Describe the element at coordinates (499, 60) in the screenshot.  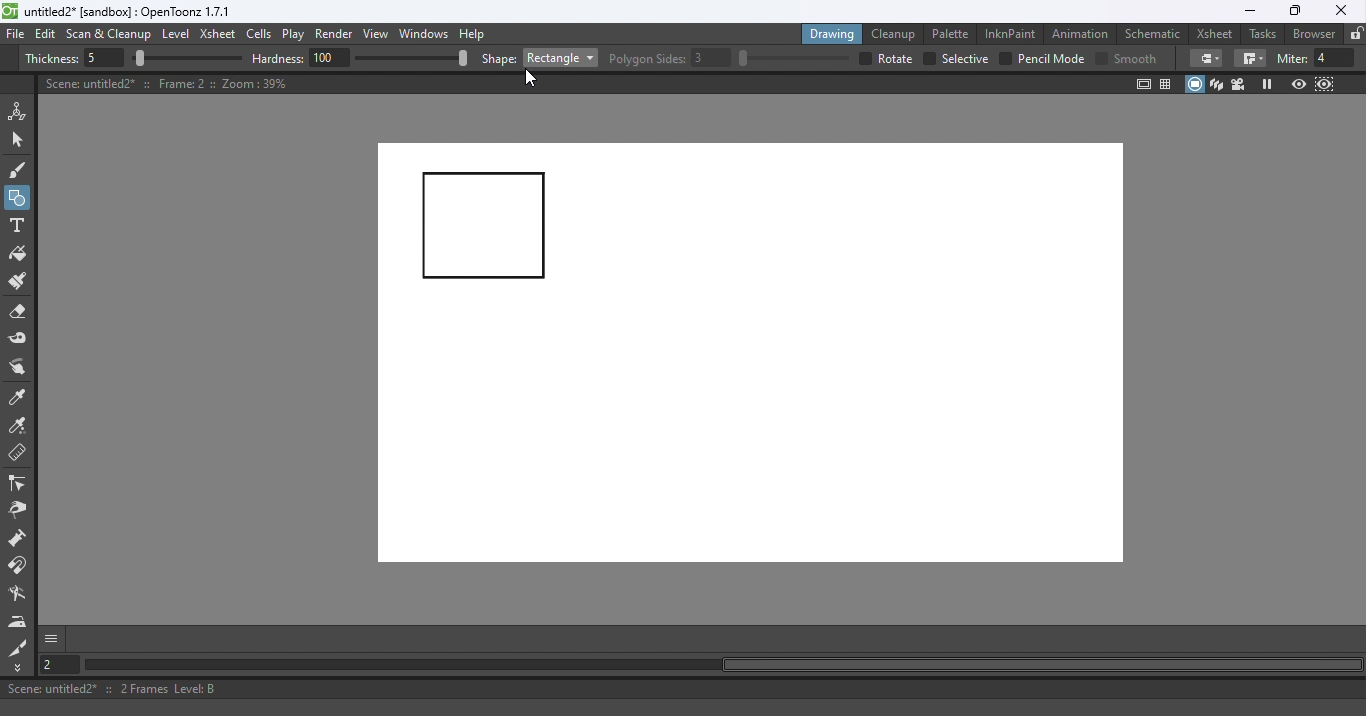
I see `shape` at that location.